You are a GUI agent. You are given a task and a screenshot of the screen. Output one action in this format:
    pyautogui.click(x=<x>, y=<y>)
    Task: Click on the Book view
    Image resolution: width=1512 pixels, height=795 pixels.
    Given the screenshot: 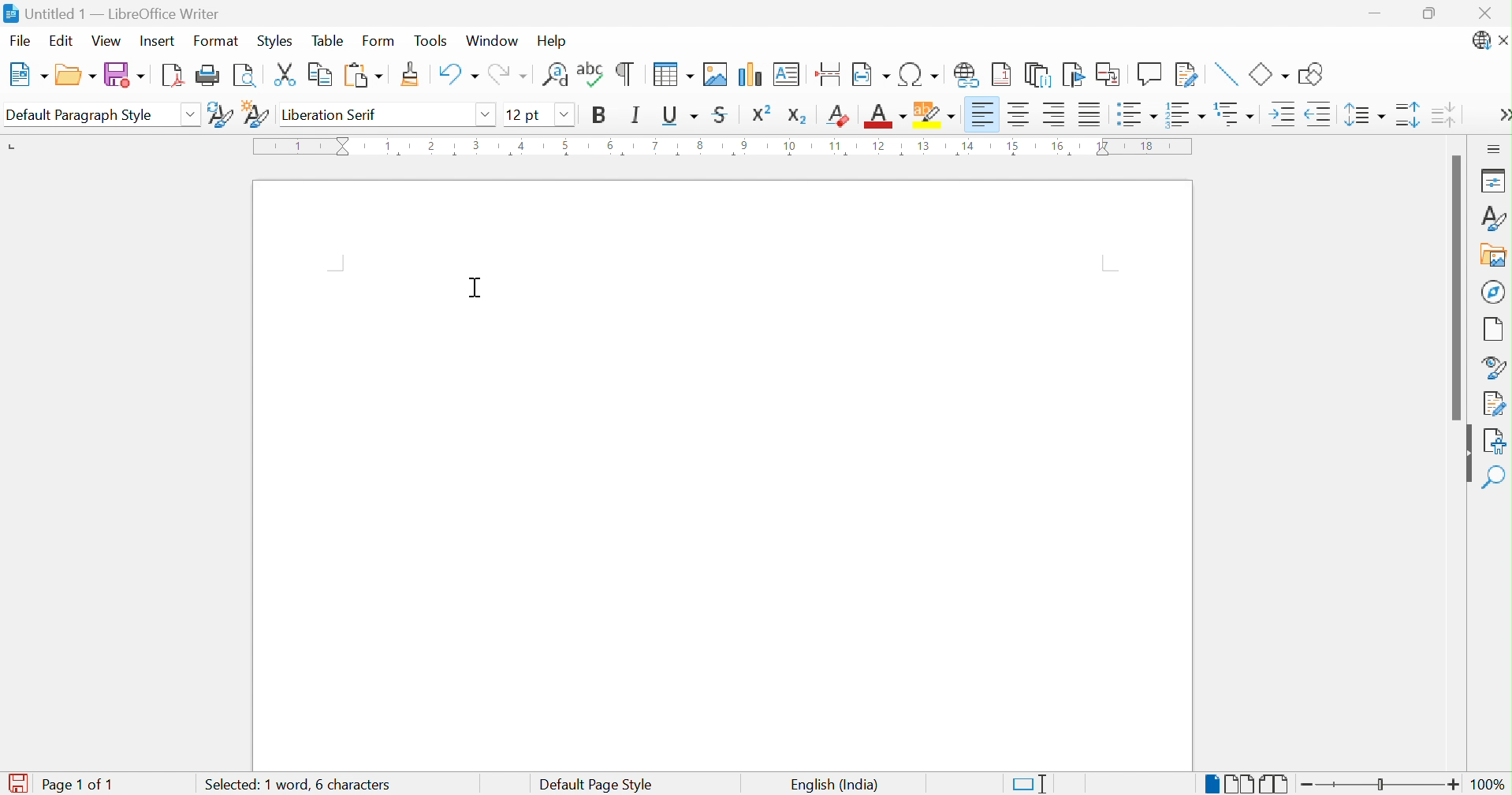 What is the action you would take?
    pyautogui.click(x=1275, y=785)
    